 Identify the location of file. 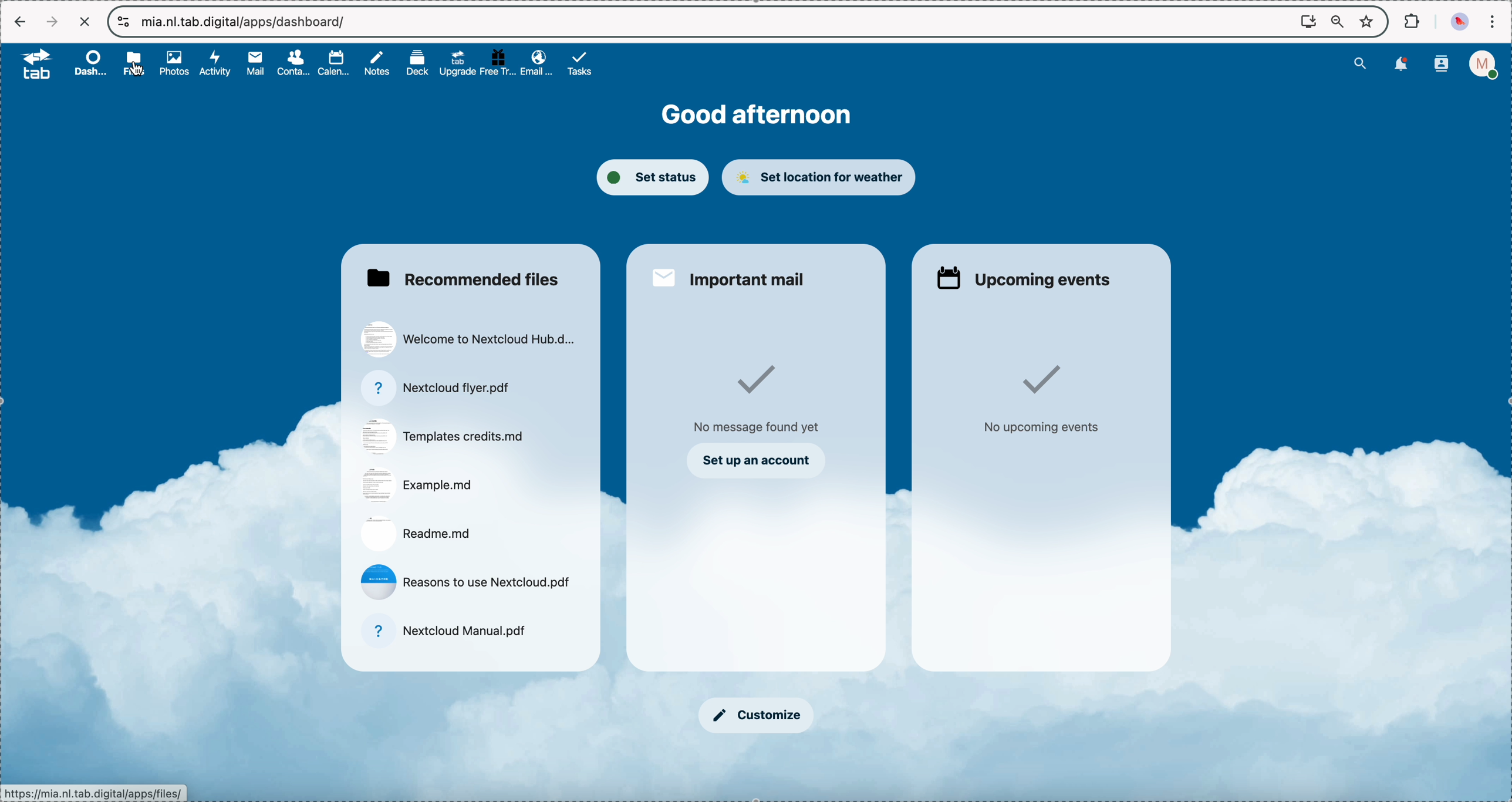
(446, 629).